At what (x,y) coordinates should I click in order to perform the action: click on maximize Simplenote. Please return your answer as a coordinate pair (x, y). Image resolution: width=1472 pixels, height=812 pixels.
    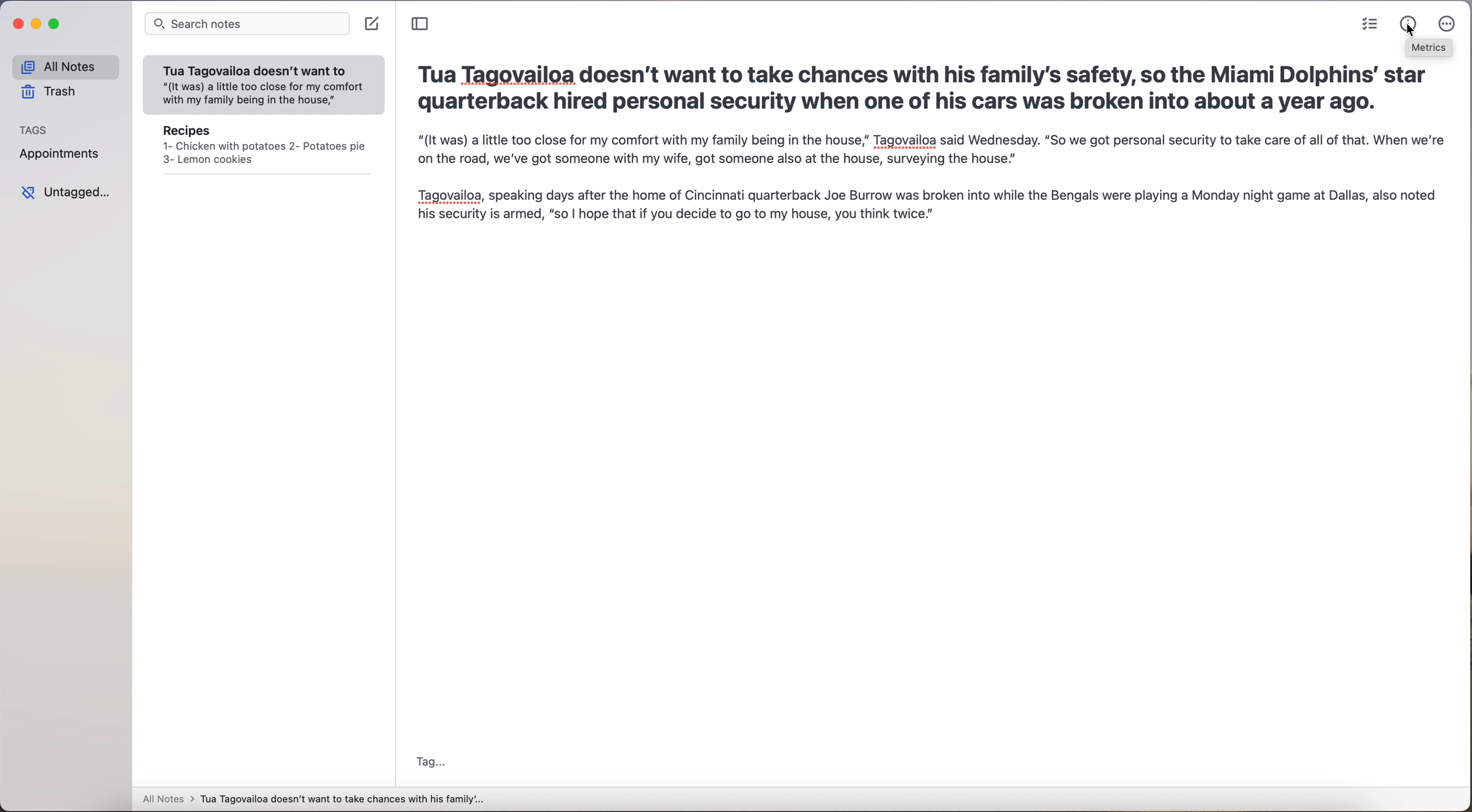
    Looking at the image, I should click on (56, 24).